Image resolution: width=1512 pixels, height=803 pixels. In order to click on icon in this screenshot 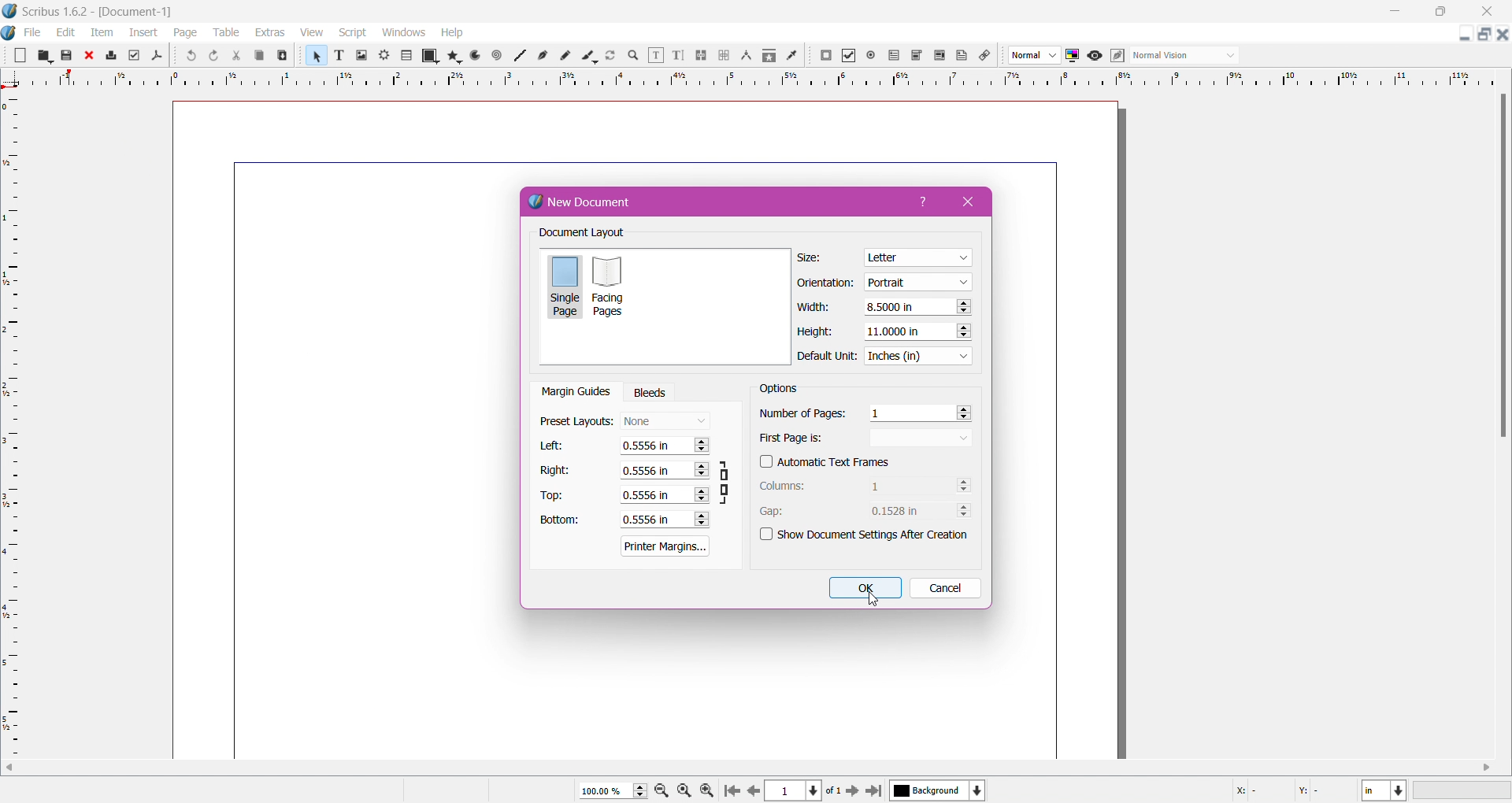, I will do `click(723, 54)`.